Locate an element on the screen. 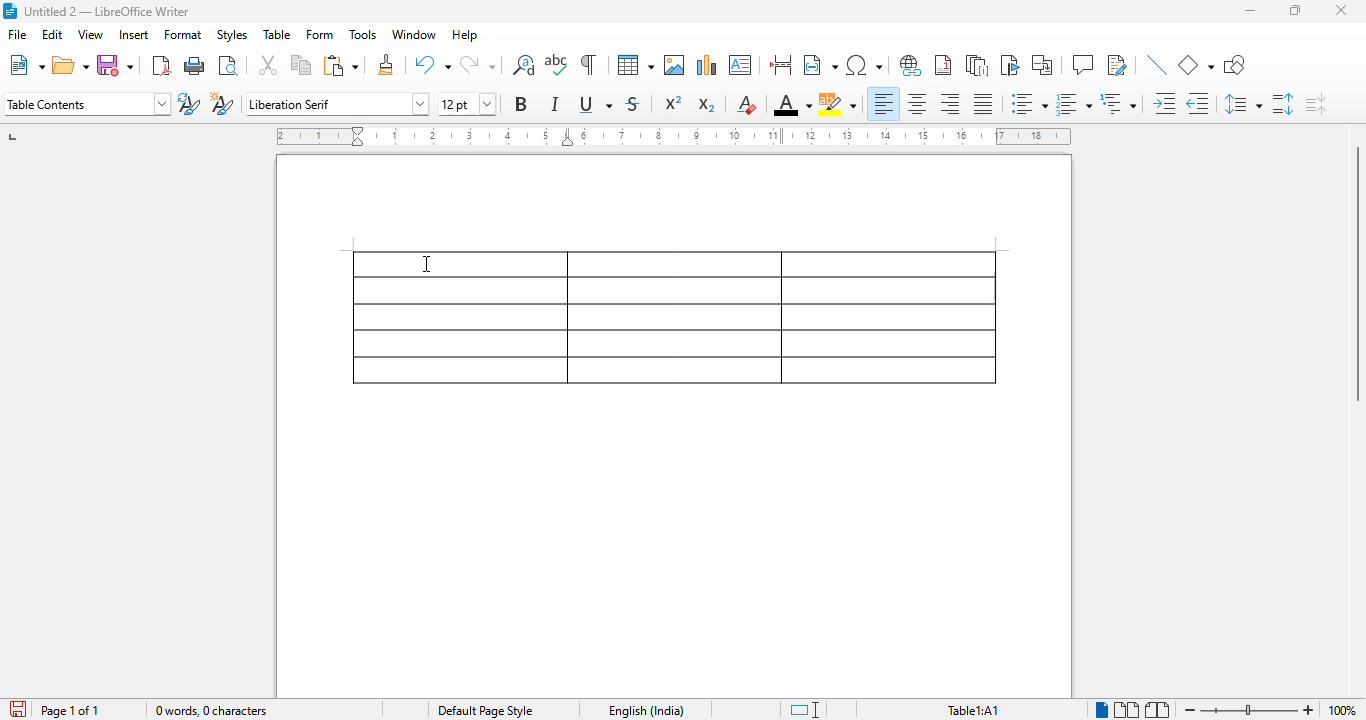  file is located at coordinates (17, 34).